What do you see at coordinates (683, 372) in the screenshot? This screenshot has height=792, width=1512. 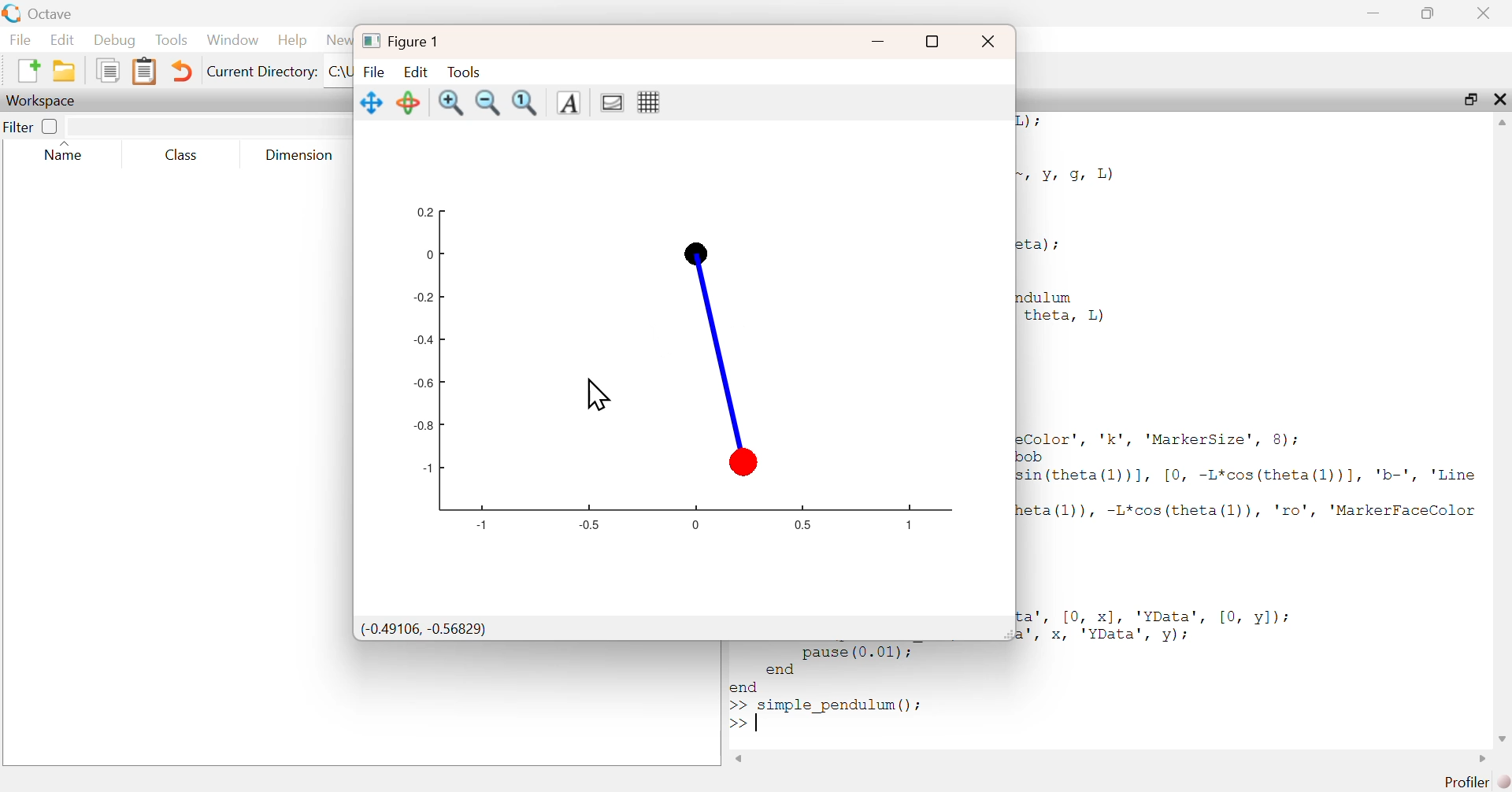 I see `Graph` at bounding box center [683, 372].